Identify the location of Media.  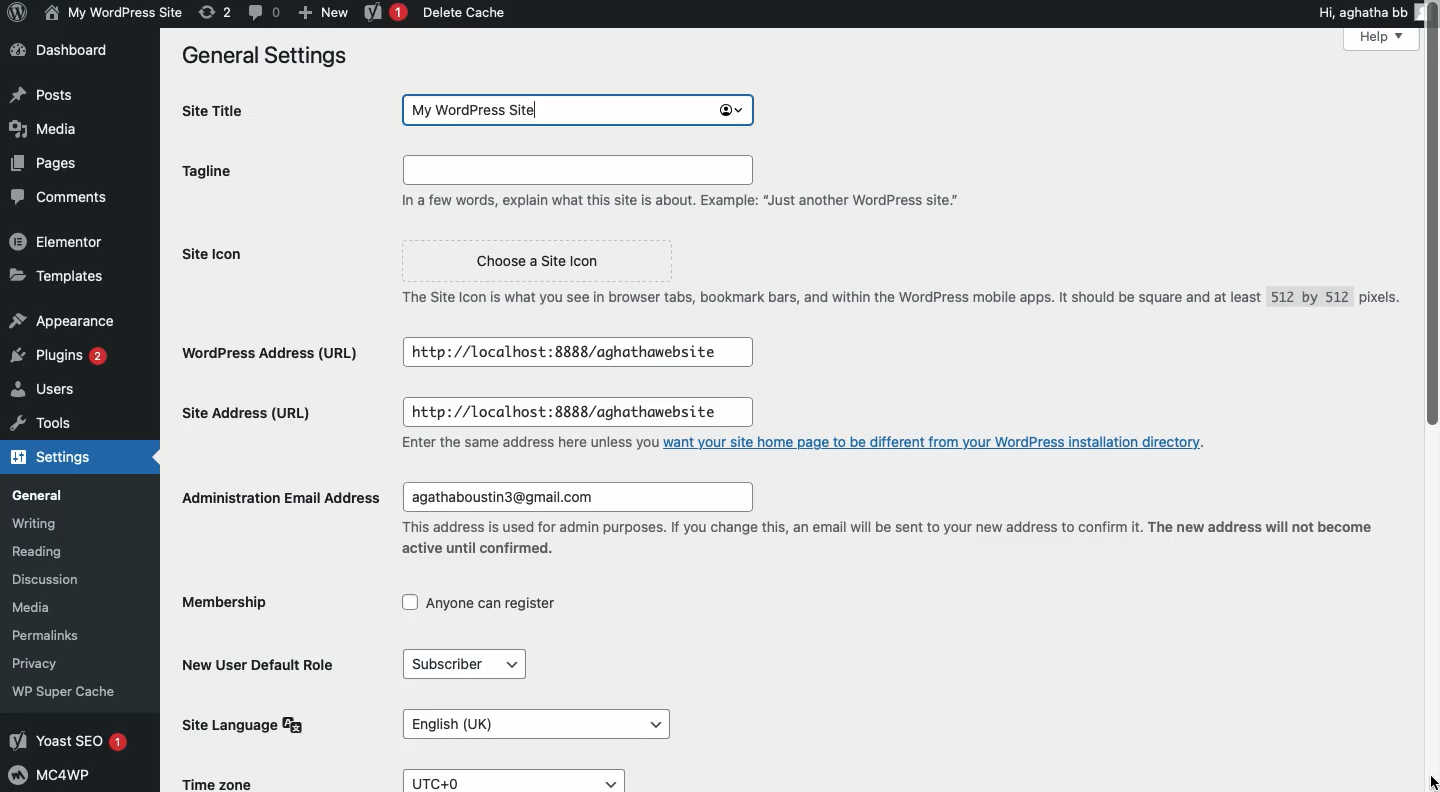
(34, 610).